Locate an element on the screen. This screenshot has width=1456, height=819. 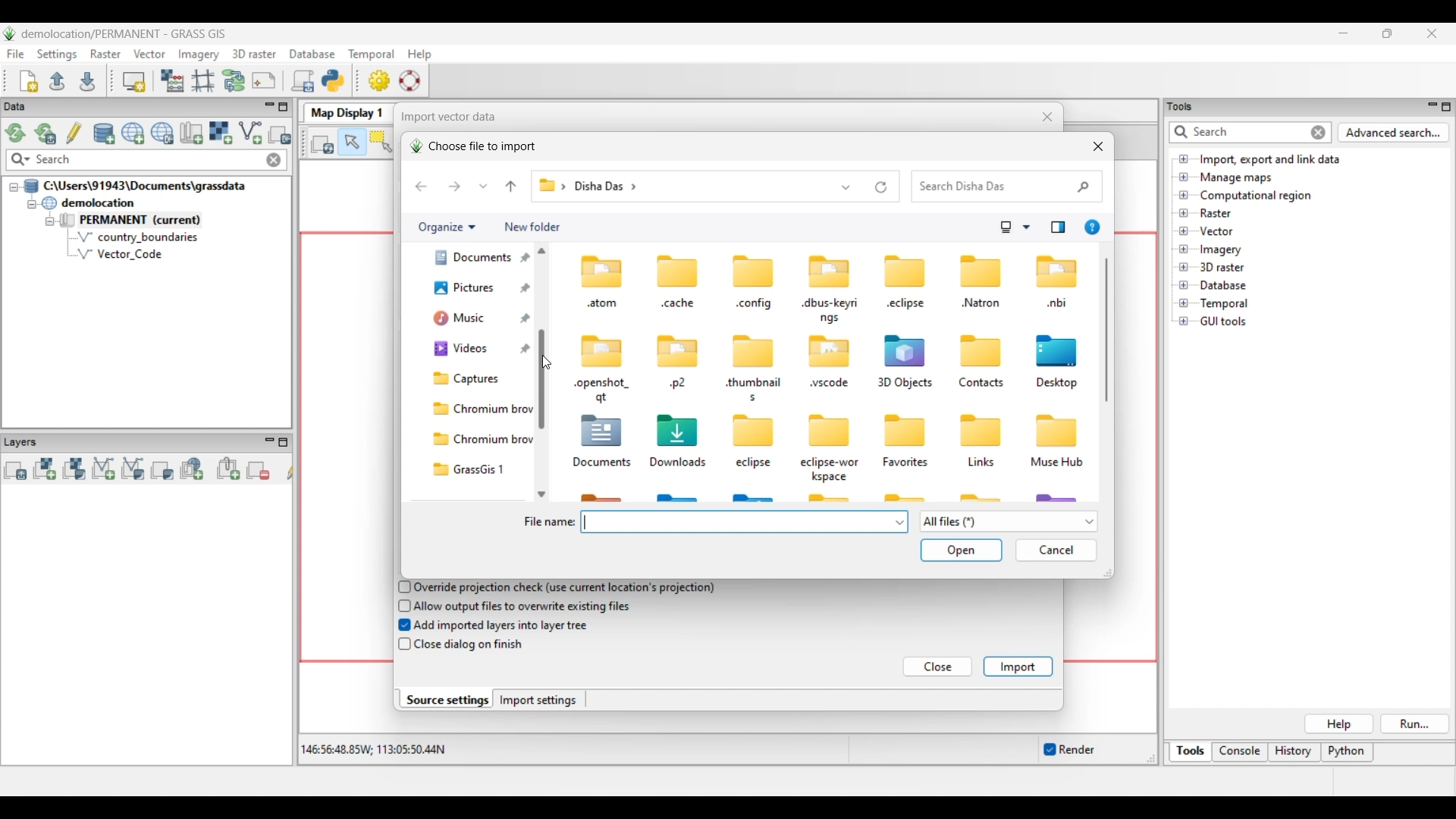
Collapse file thread  is located at coordinates (14, 187).